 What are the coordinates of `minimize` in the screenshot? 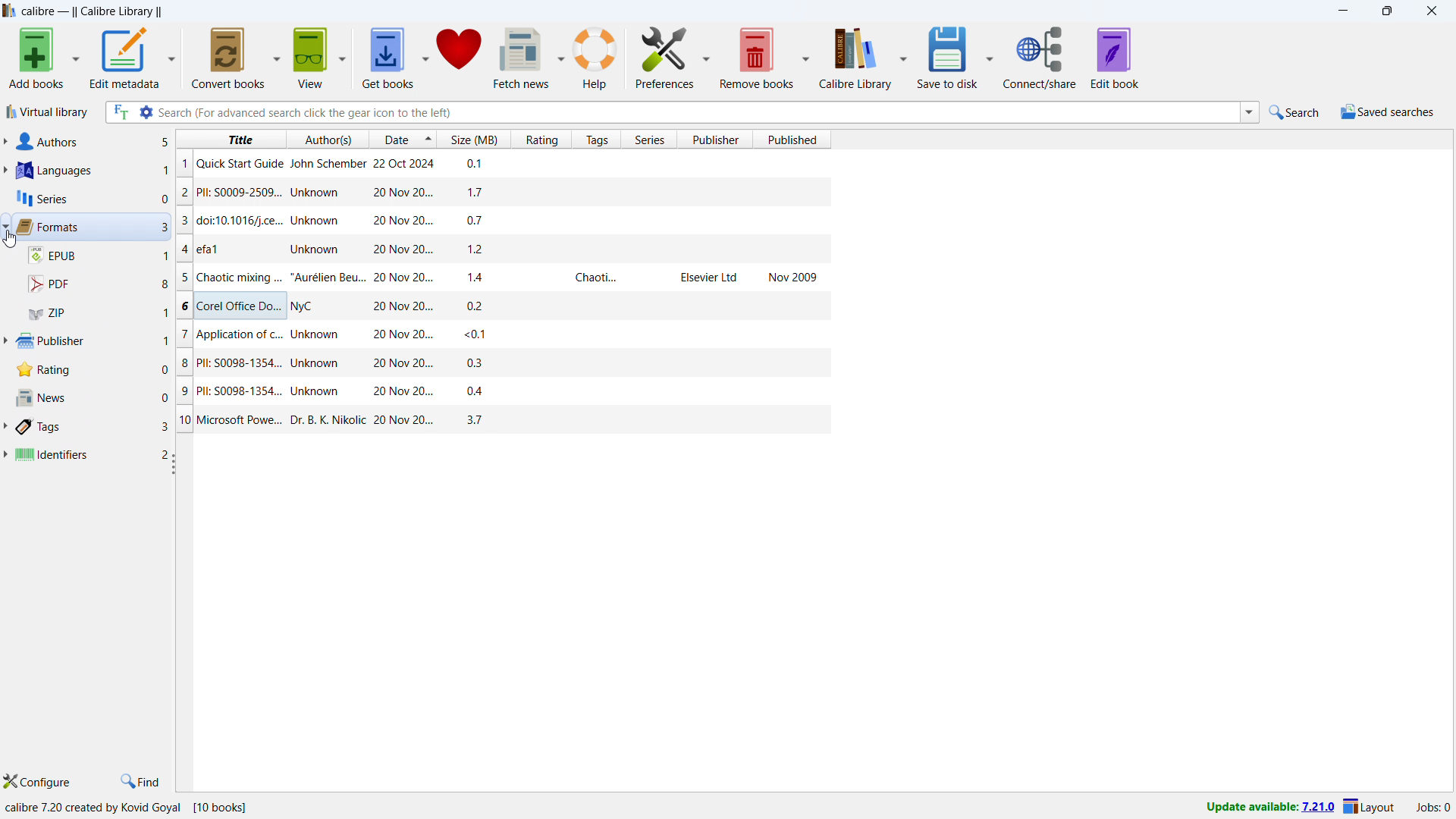 It's located at (1344, 11).